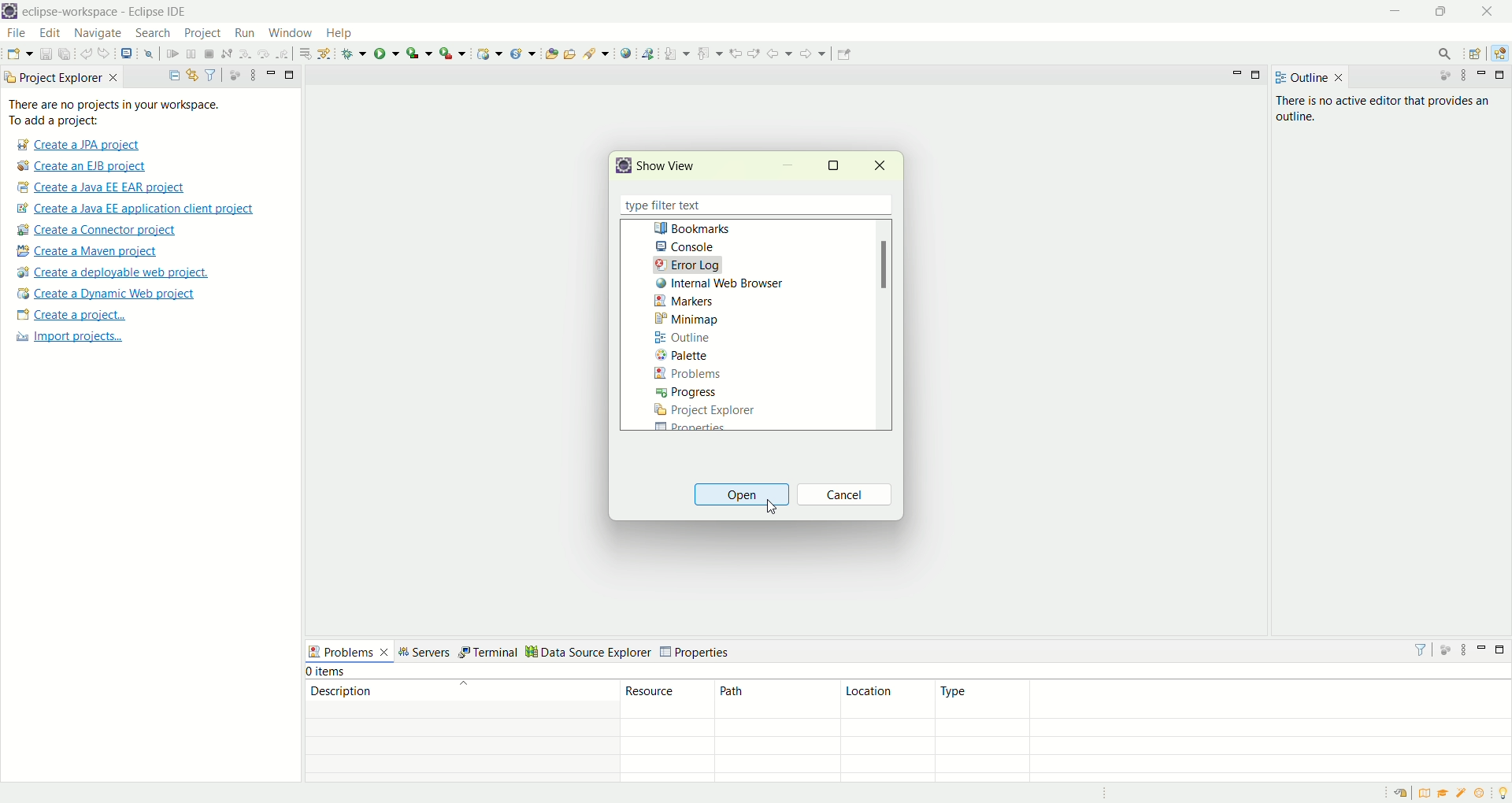 The image size is (1512, 803). What do you see at coordinates (1393, 12) in the screenshot?
I see `minimize` at bounding box center [1393, 12].